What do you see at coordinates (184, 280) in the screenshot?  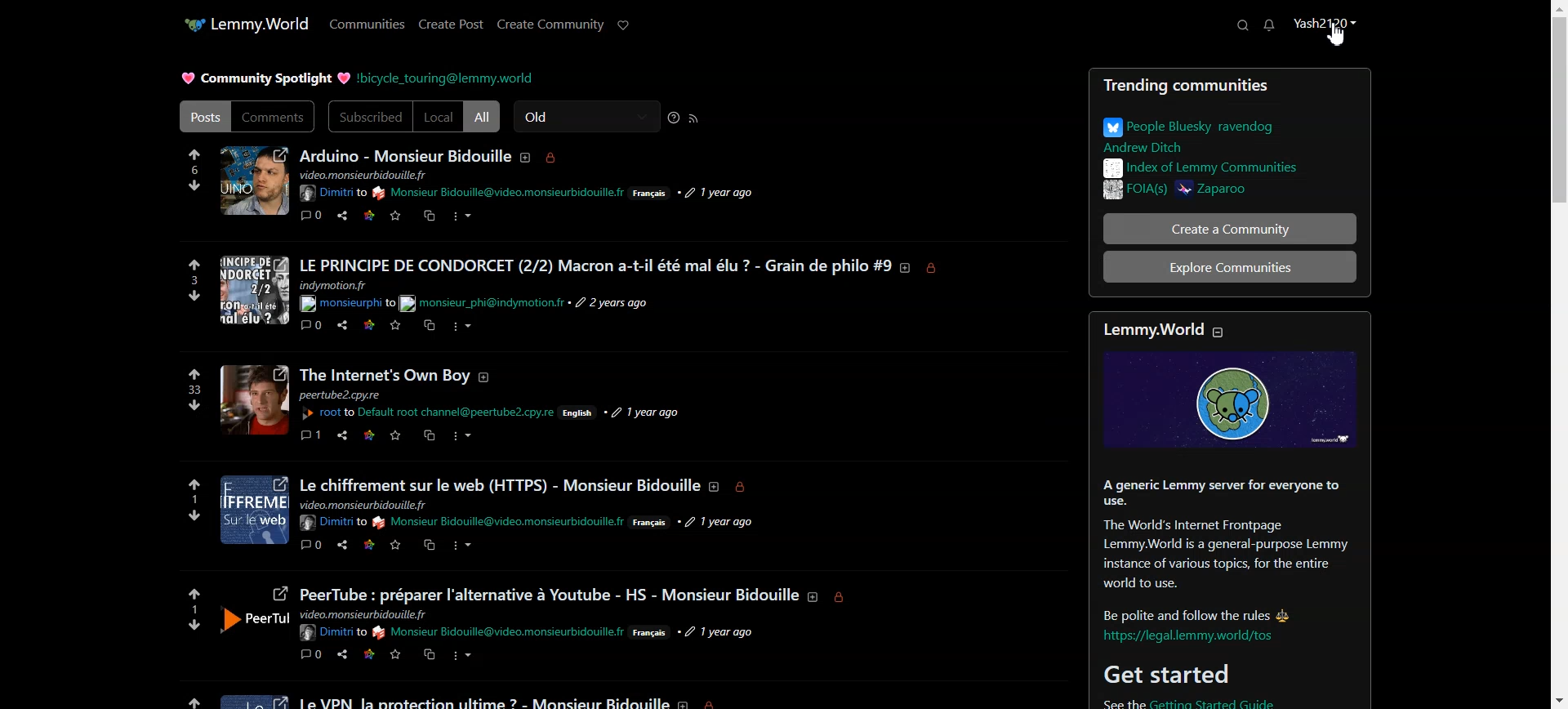 I see `3` at bounding box center [184, 280].